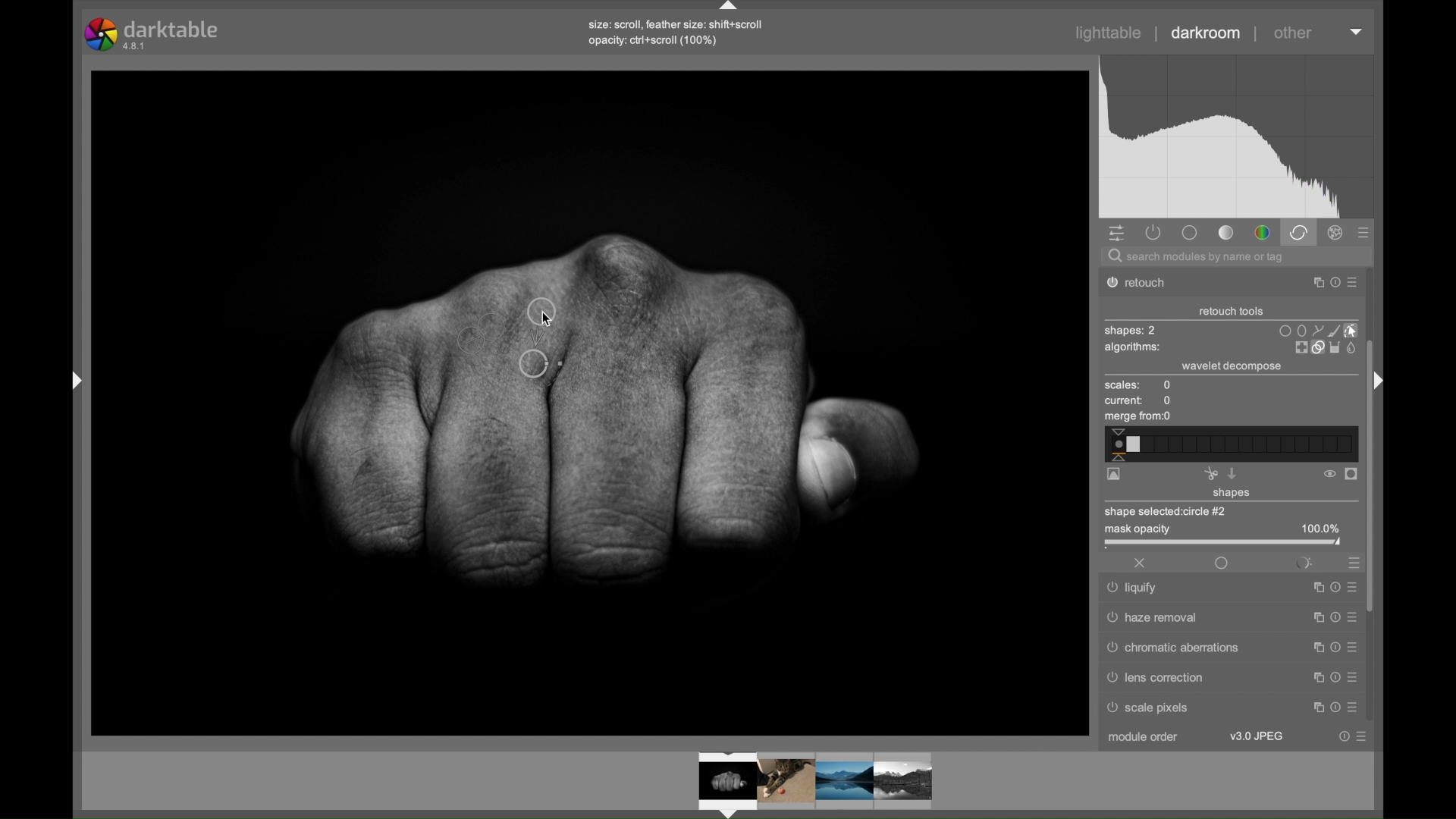 This screenshot has width=1456, height=819. I want to click on more options, so click(1351, 676).